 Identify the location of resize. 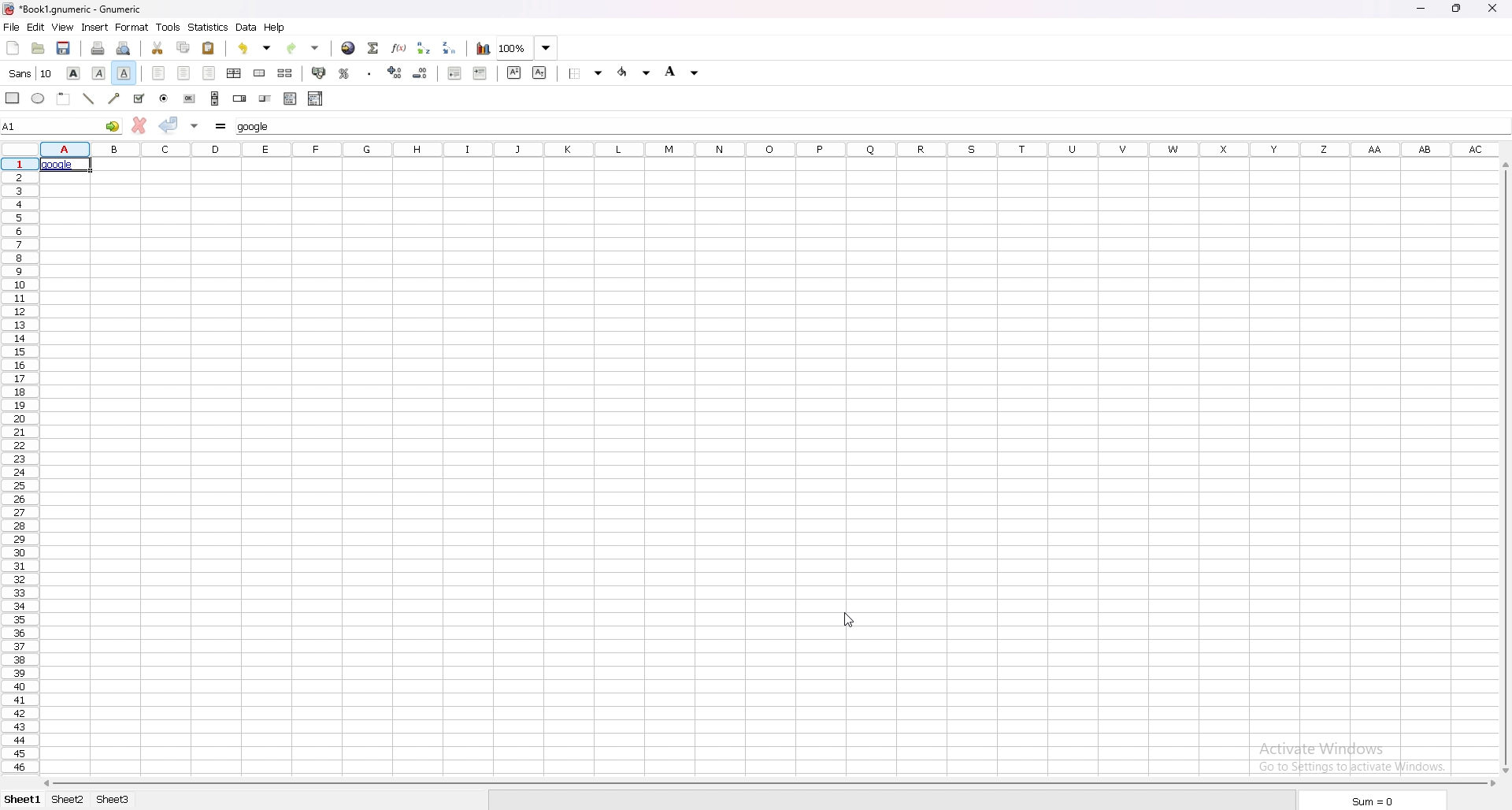
(1458, 8).